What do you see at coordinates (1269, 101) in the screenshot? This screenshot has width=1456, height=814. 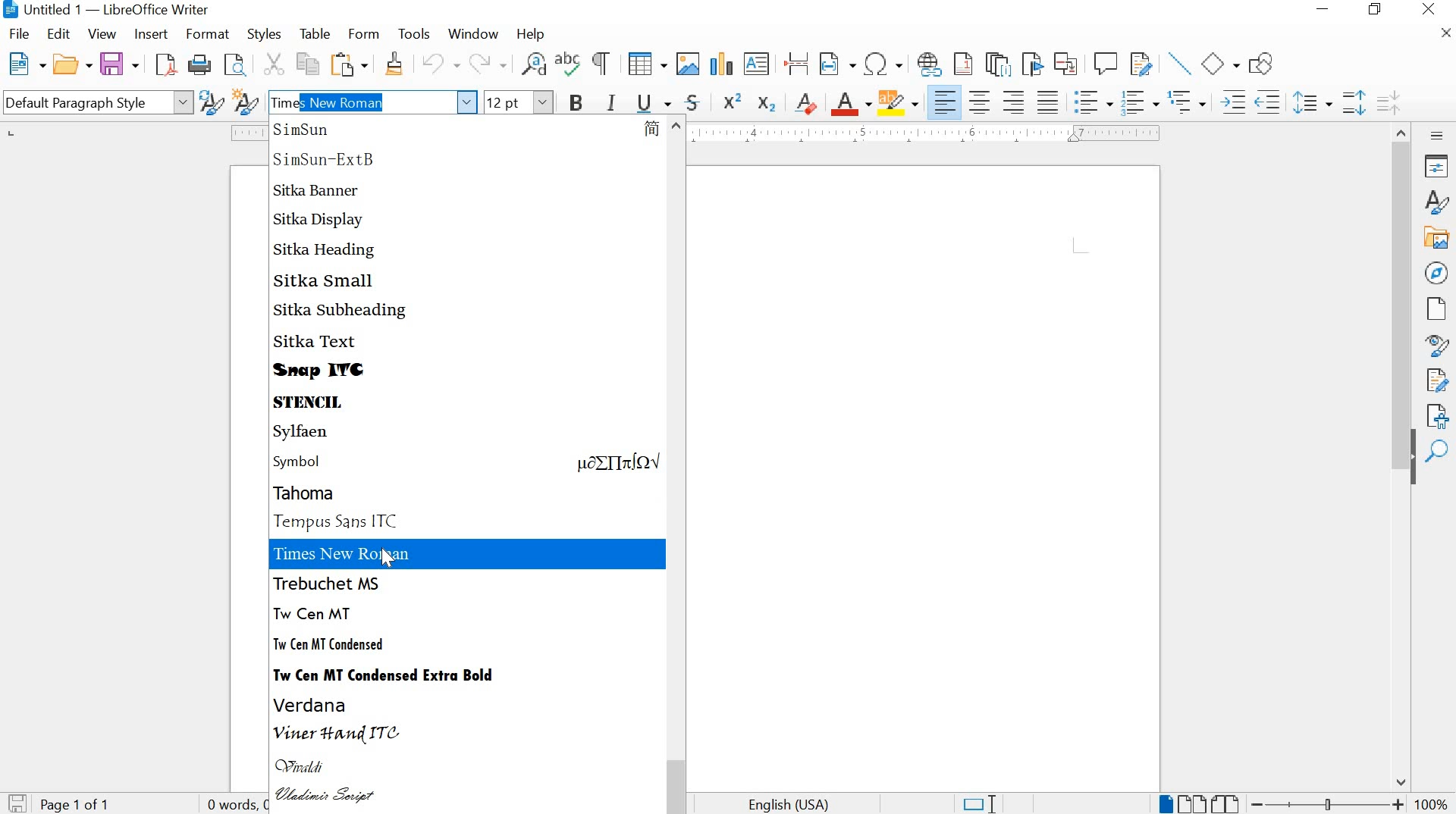 I see `DECREASE INDENT` at bounding box center [1269, 101].